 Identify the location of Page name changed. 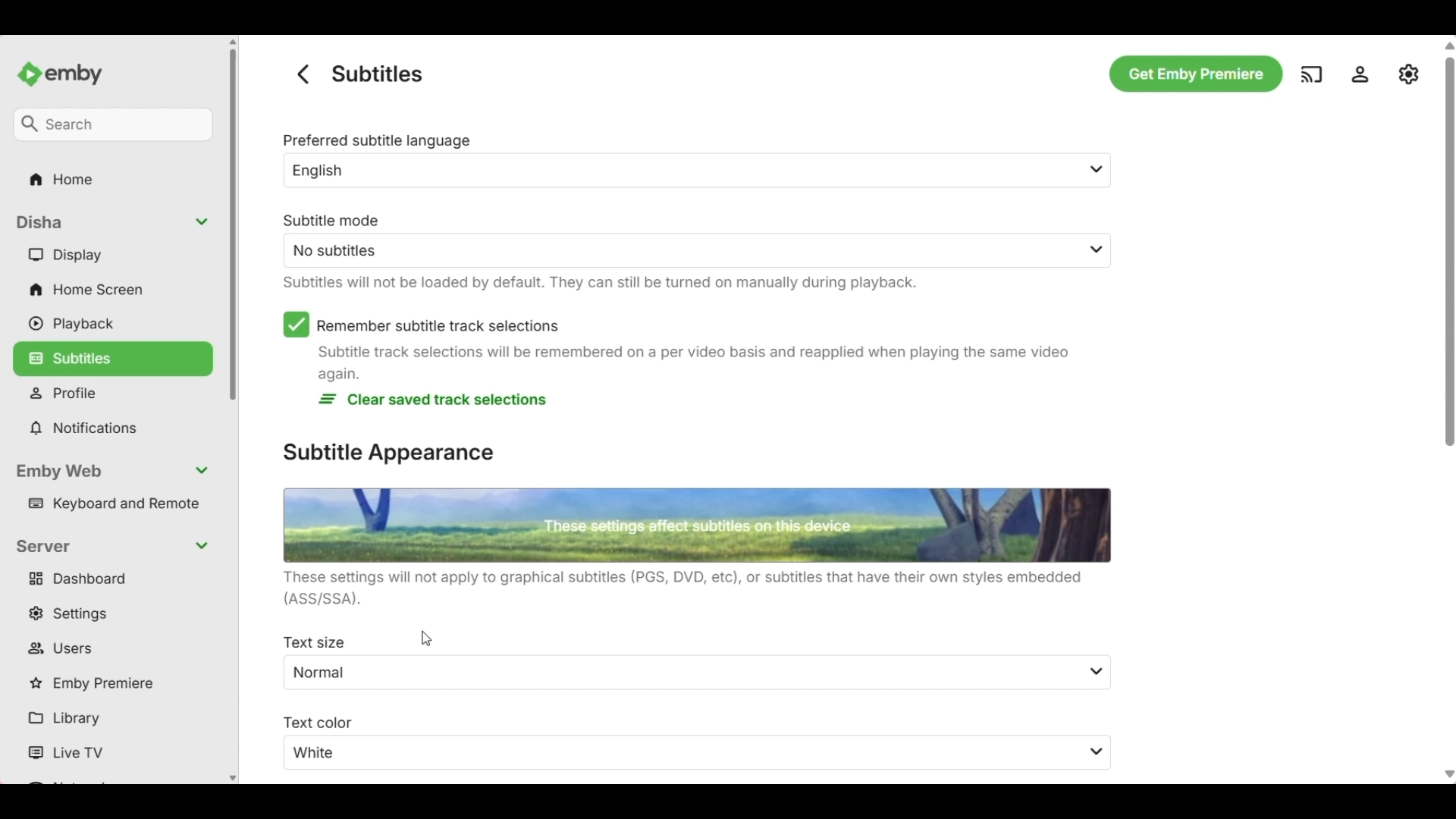
(377, 74).